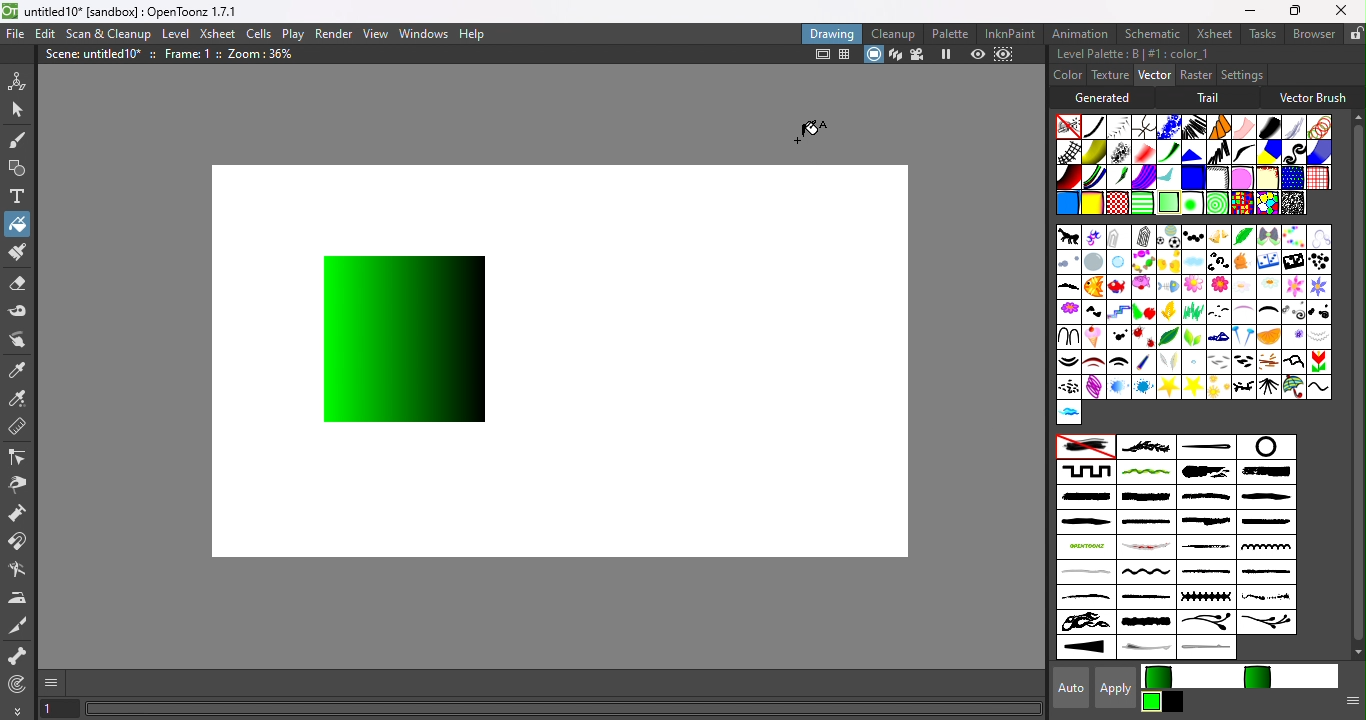 The width and height of the screenshot is (1366, 720). I want to click on feet, so click(1094, 313).